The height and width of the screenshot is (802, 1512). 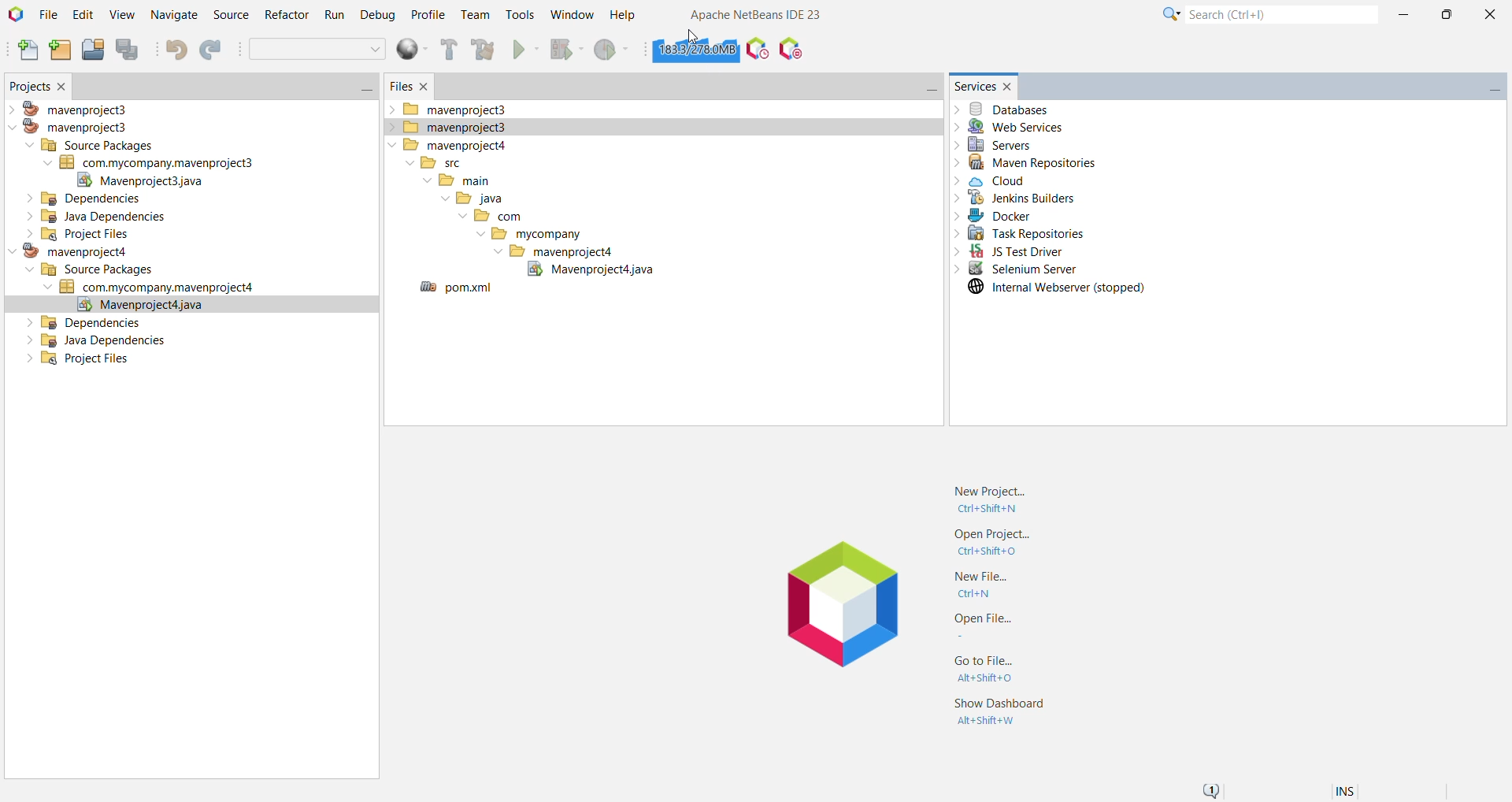 What do you see at coordinates (229, 15) in the screenshot?
I see `Source` at bounding box center [229, 15].